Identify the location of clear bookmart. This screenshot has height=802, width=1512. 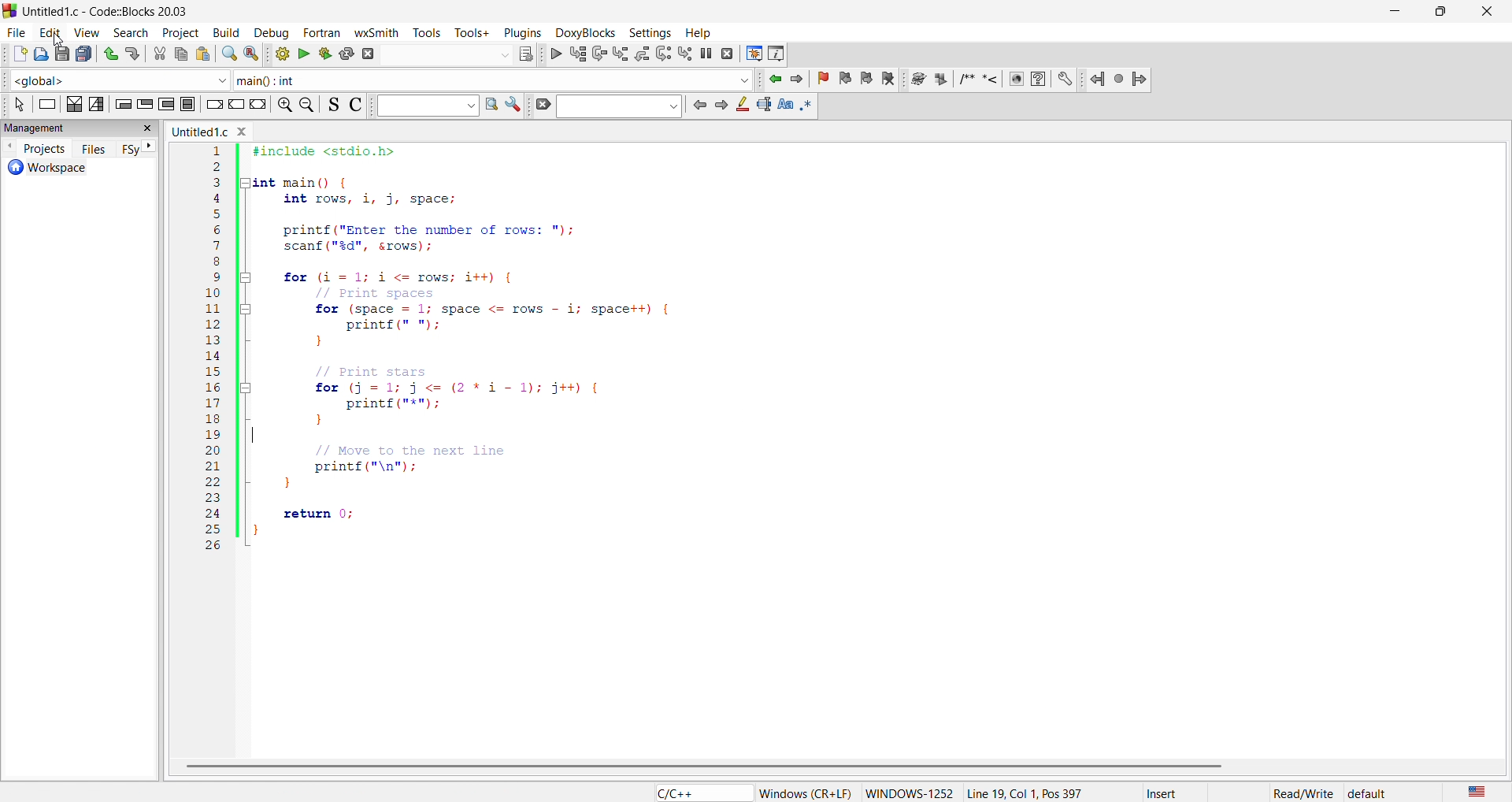
(891, 80).